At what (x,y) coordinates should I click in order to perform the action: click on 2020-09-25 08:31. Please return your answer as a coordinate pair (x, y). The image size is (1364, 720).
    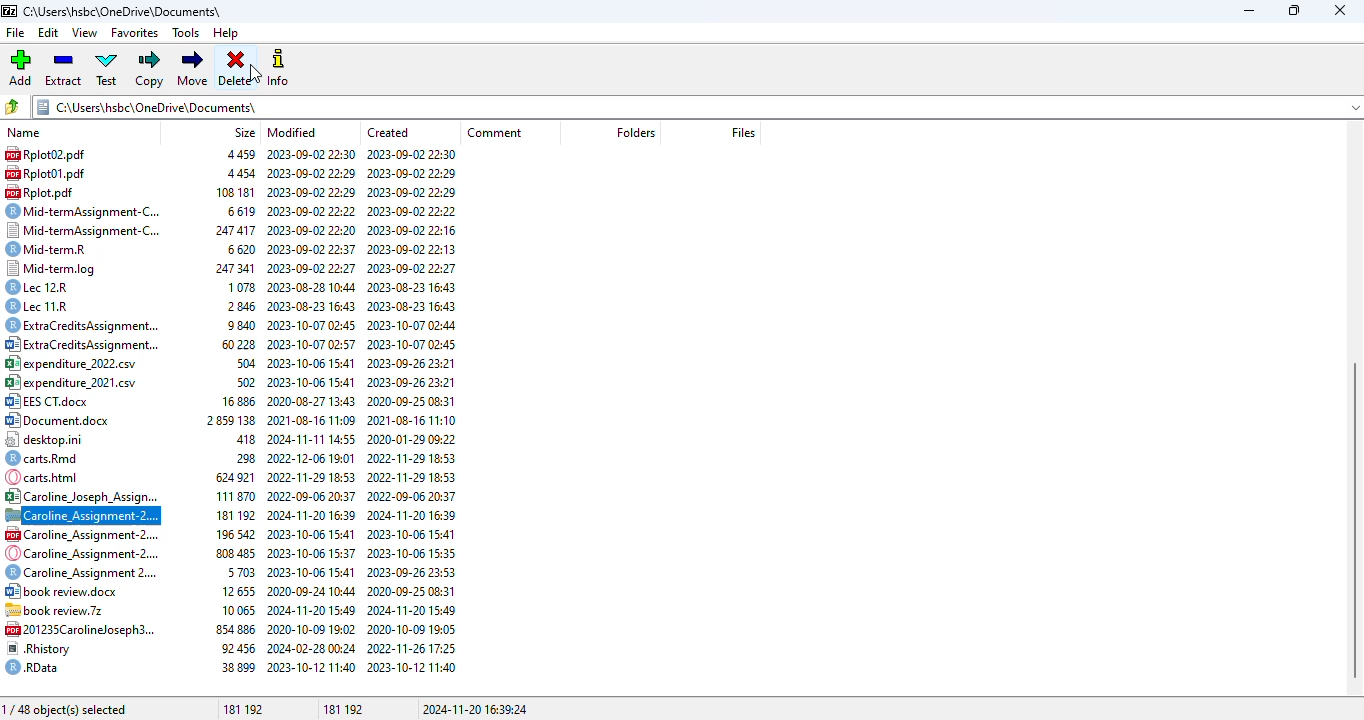
    Looking at the image, I should click on (412, 400).